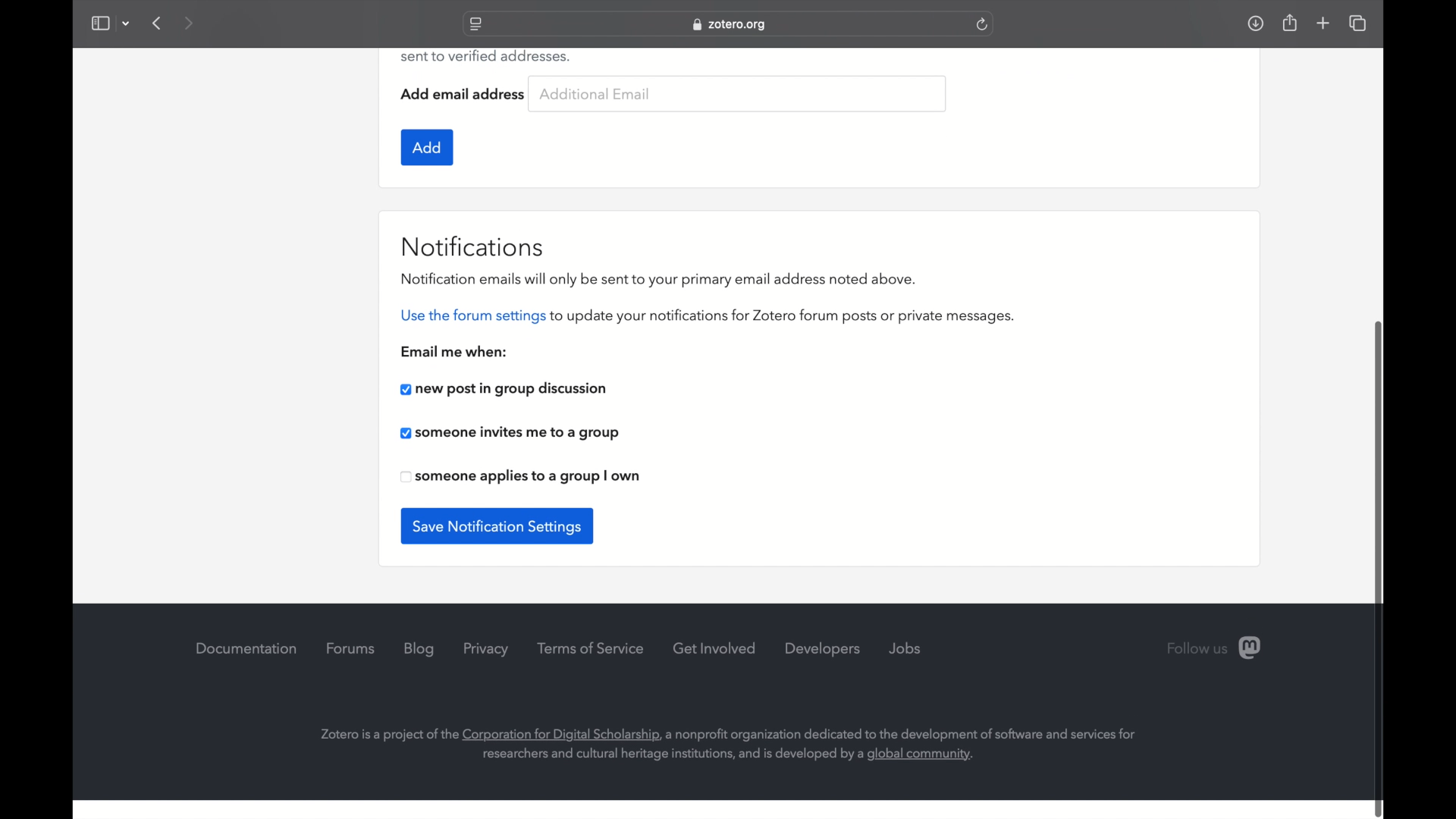 This screenshot has height=819, width=1456. I want to click on blog, so click(419, 649).